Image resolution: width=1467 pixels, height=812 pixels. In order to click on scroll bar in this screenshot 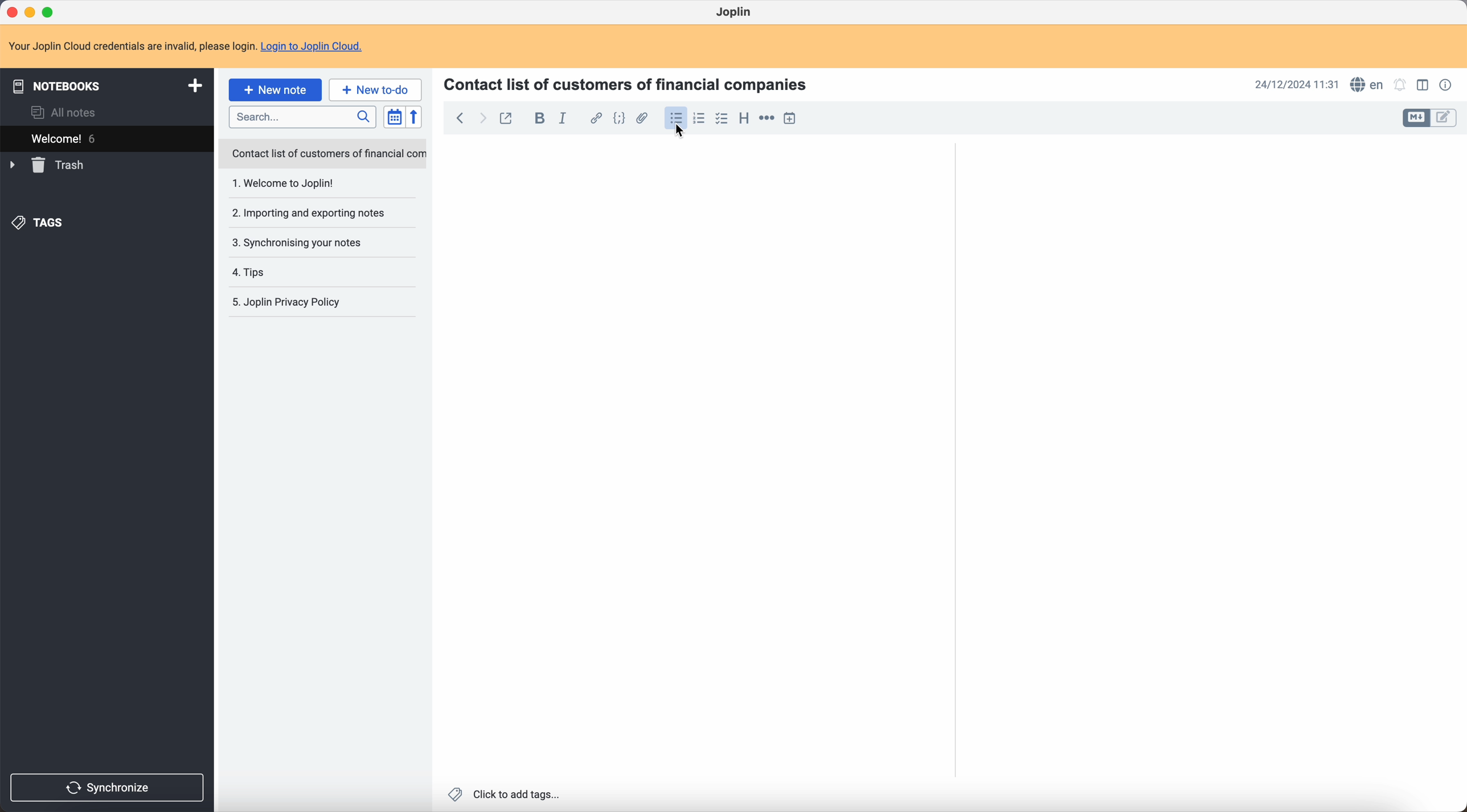, I will do `click(1458, 255)`.